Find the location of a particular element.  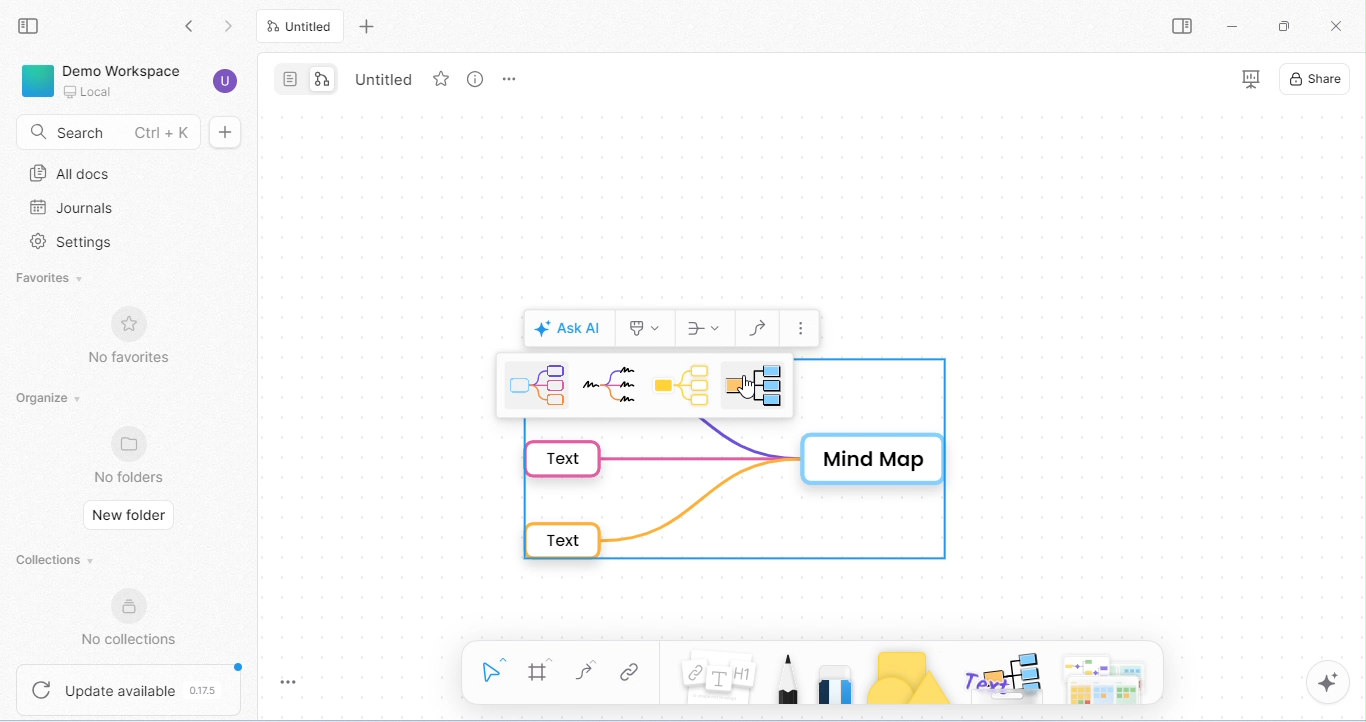

new doc is located at coordinates (227, 132).